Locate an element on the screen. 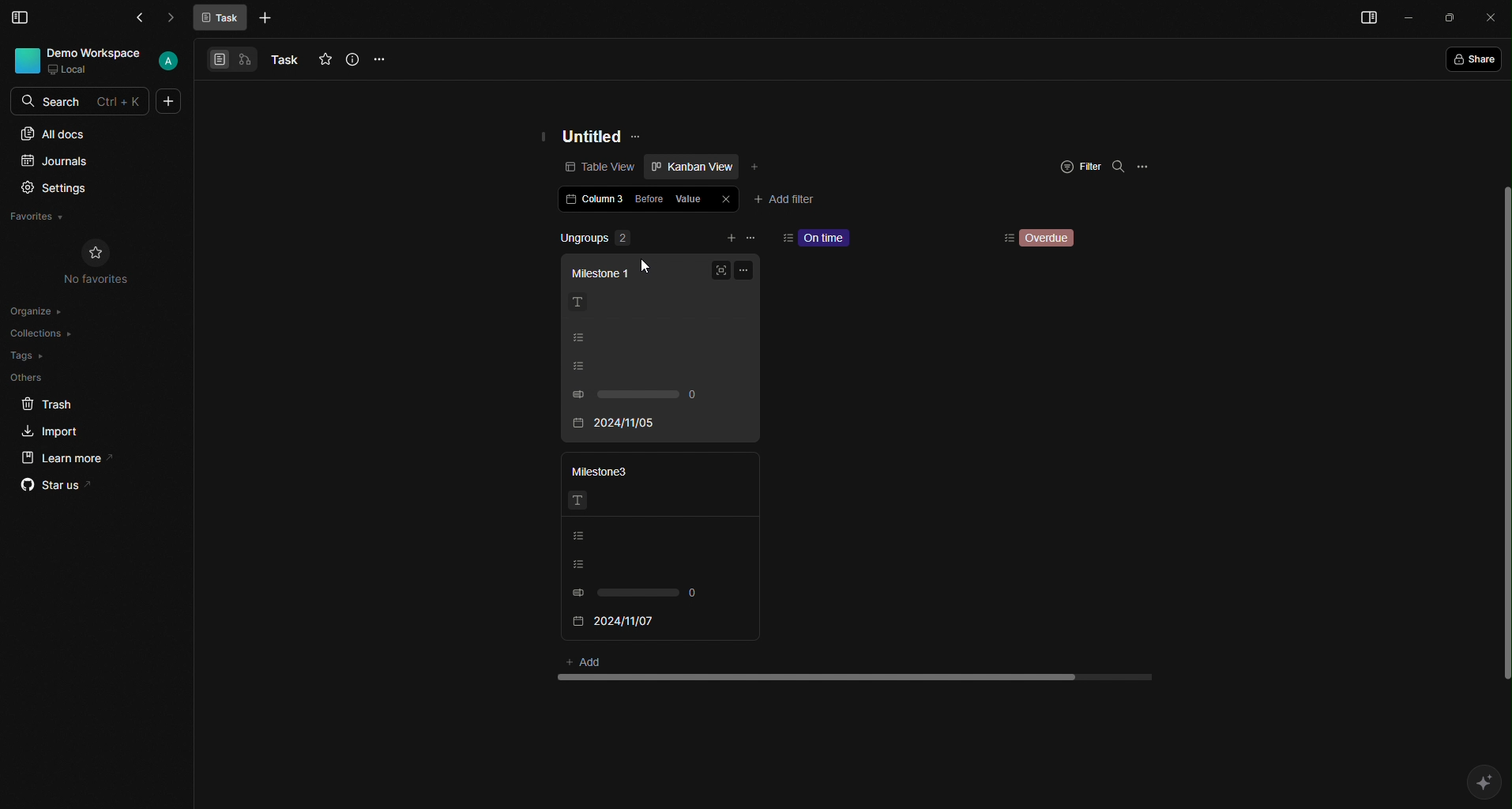  View 2 is located at coordinates (244, 62).